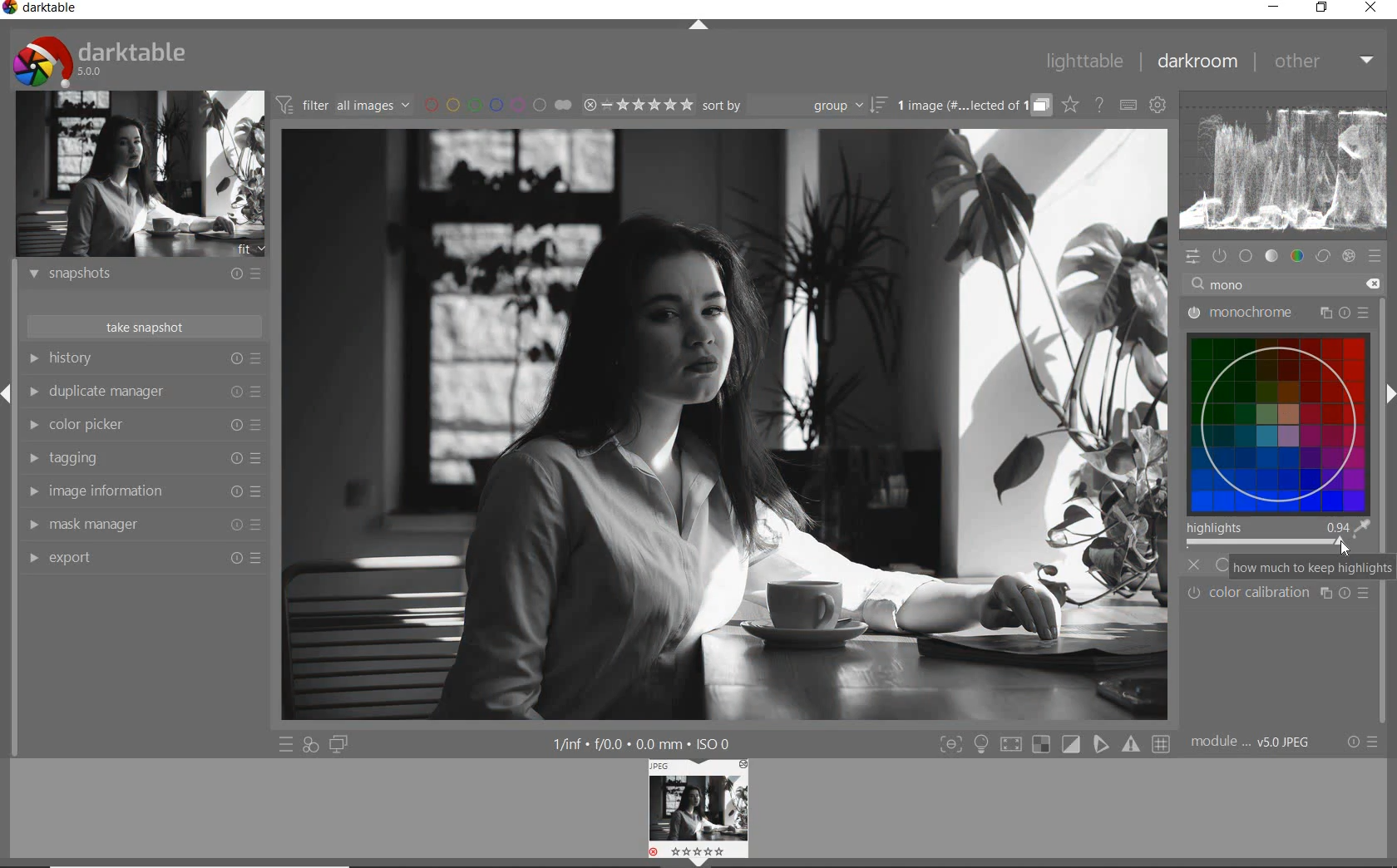  I want to click on Expand/Collapse, so click(8, 392).